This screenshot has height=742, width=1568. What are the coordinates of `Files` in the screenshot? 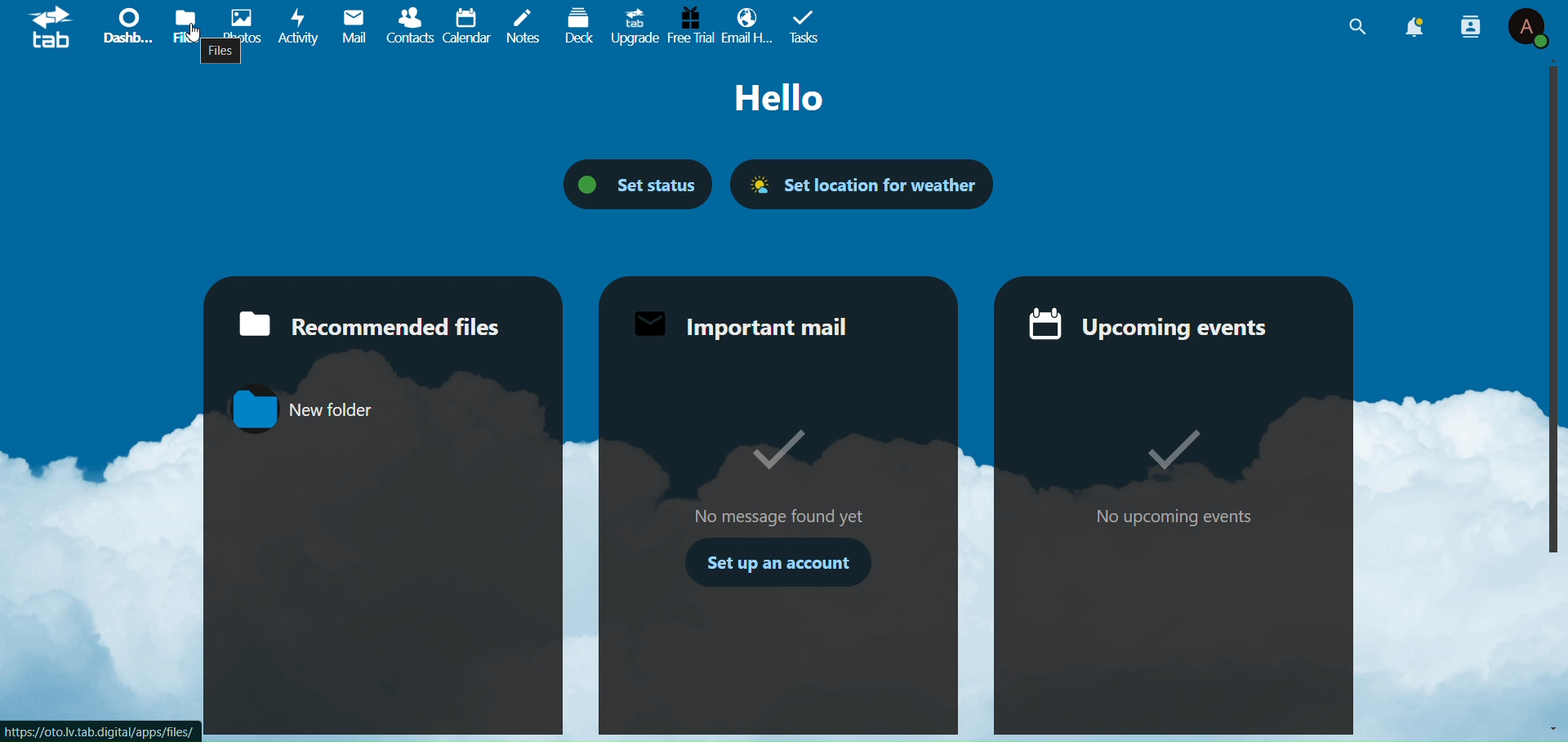 It's located at (182, 25).